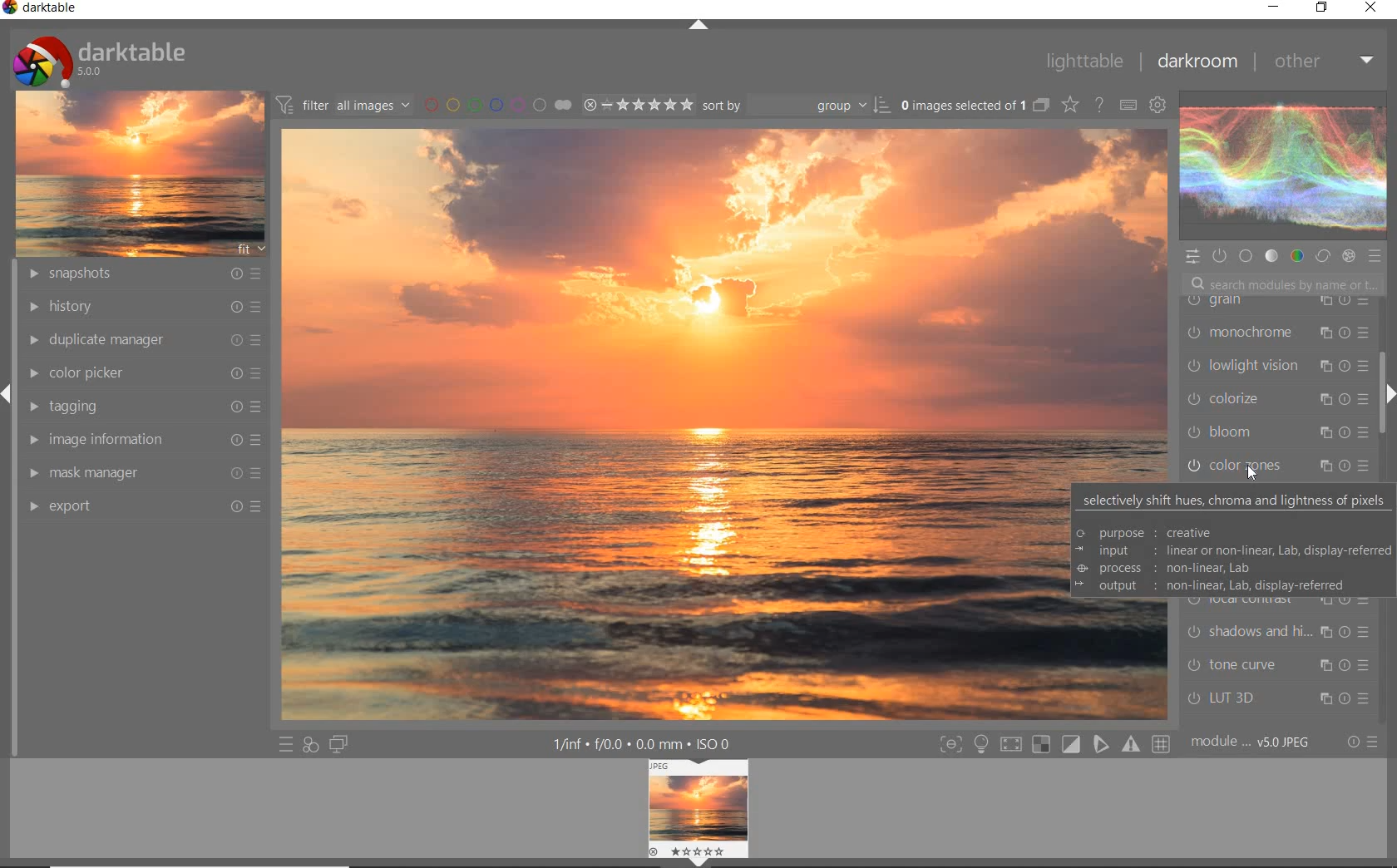  I want to click on ENABLE FOR ONLINE HELP, so click(1102, 104).